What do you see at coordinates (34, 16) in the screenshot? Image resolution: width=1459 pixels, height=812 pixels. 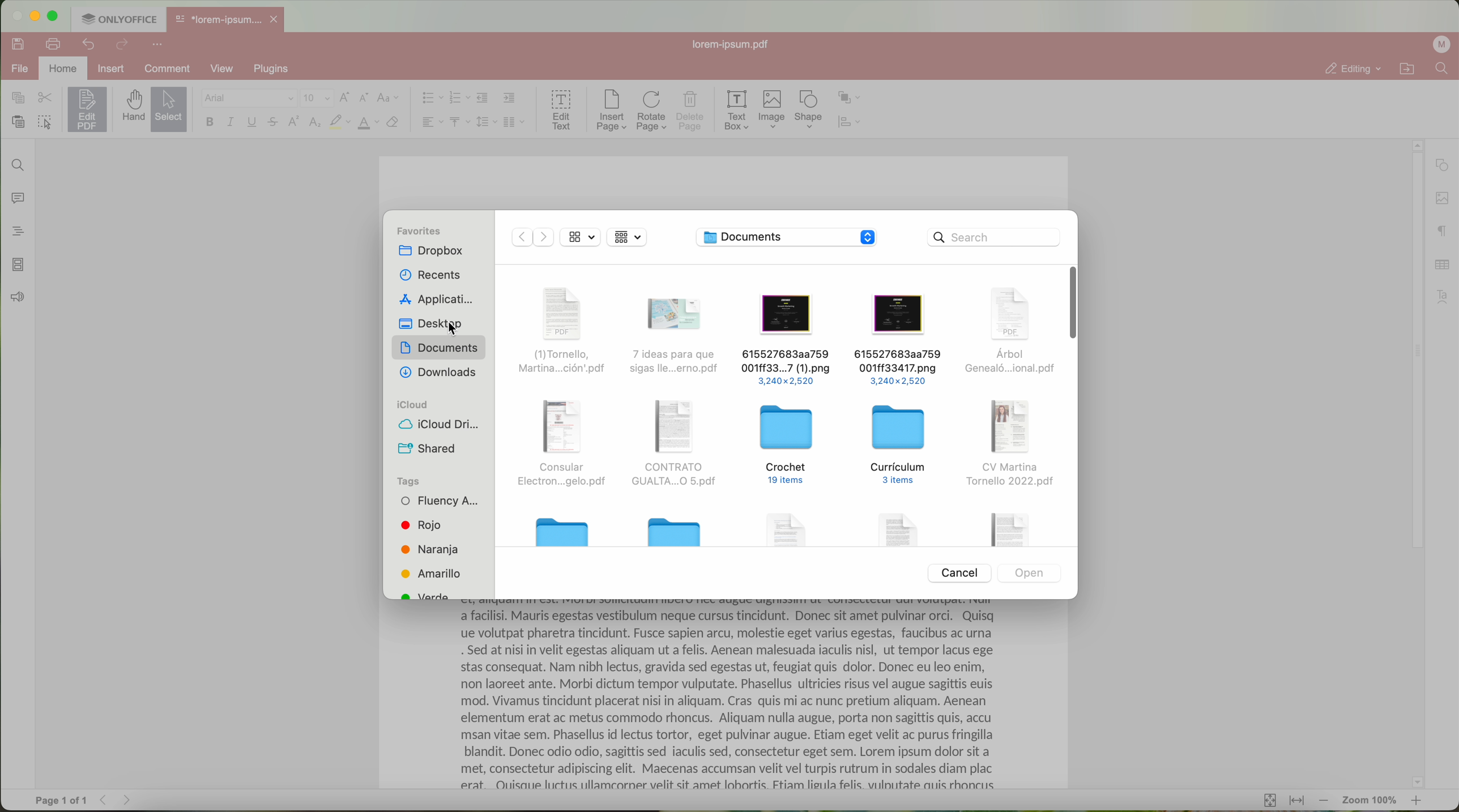 I see `minimize` at bounding box center [34, 16].